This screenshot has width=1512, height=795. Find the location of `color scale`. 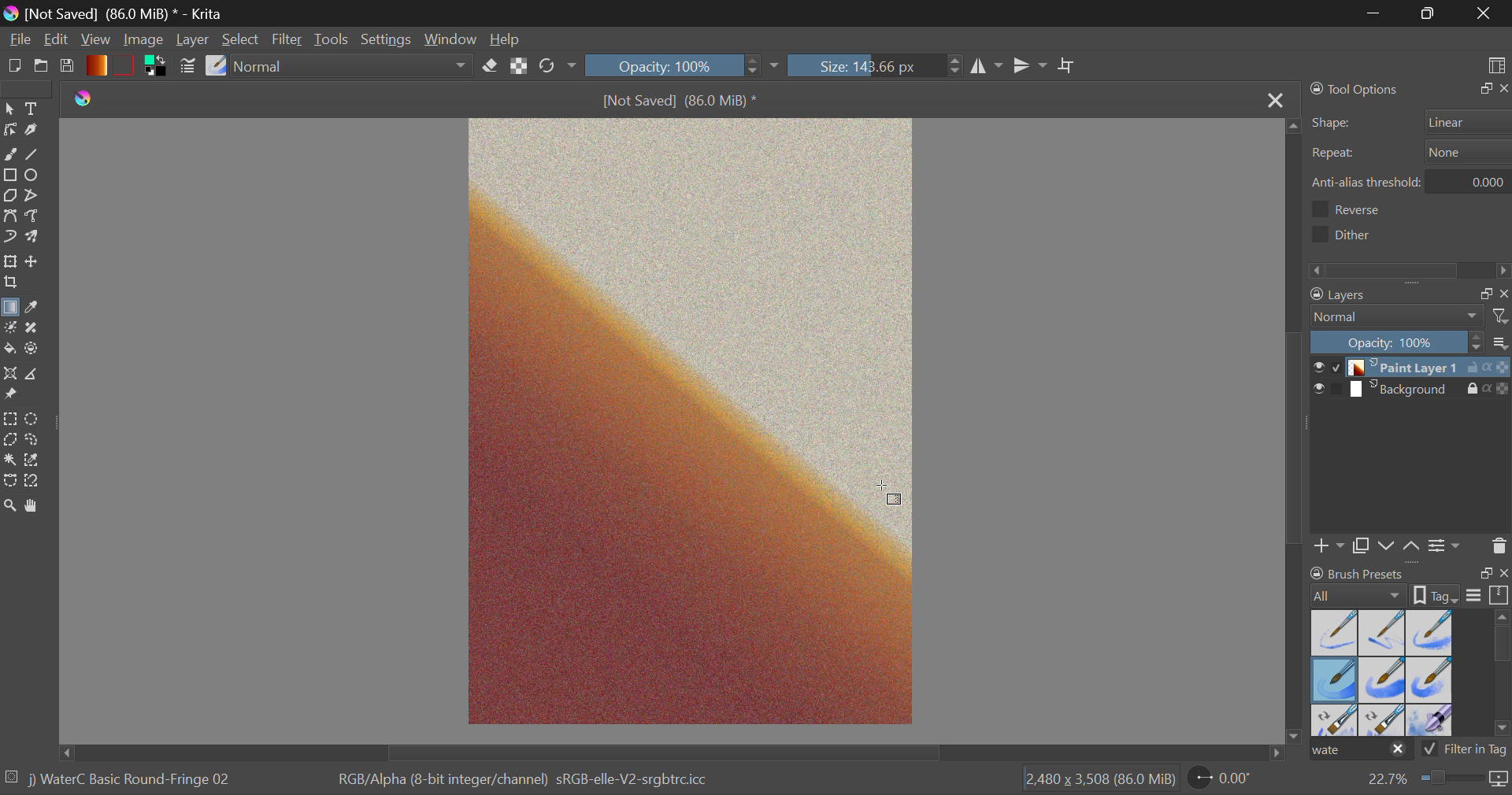

color scale is located at coordinates (1503, 391).